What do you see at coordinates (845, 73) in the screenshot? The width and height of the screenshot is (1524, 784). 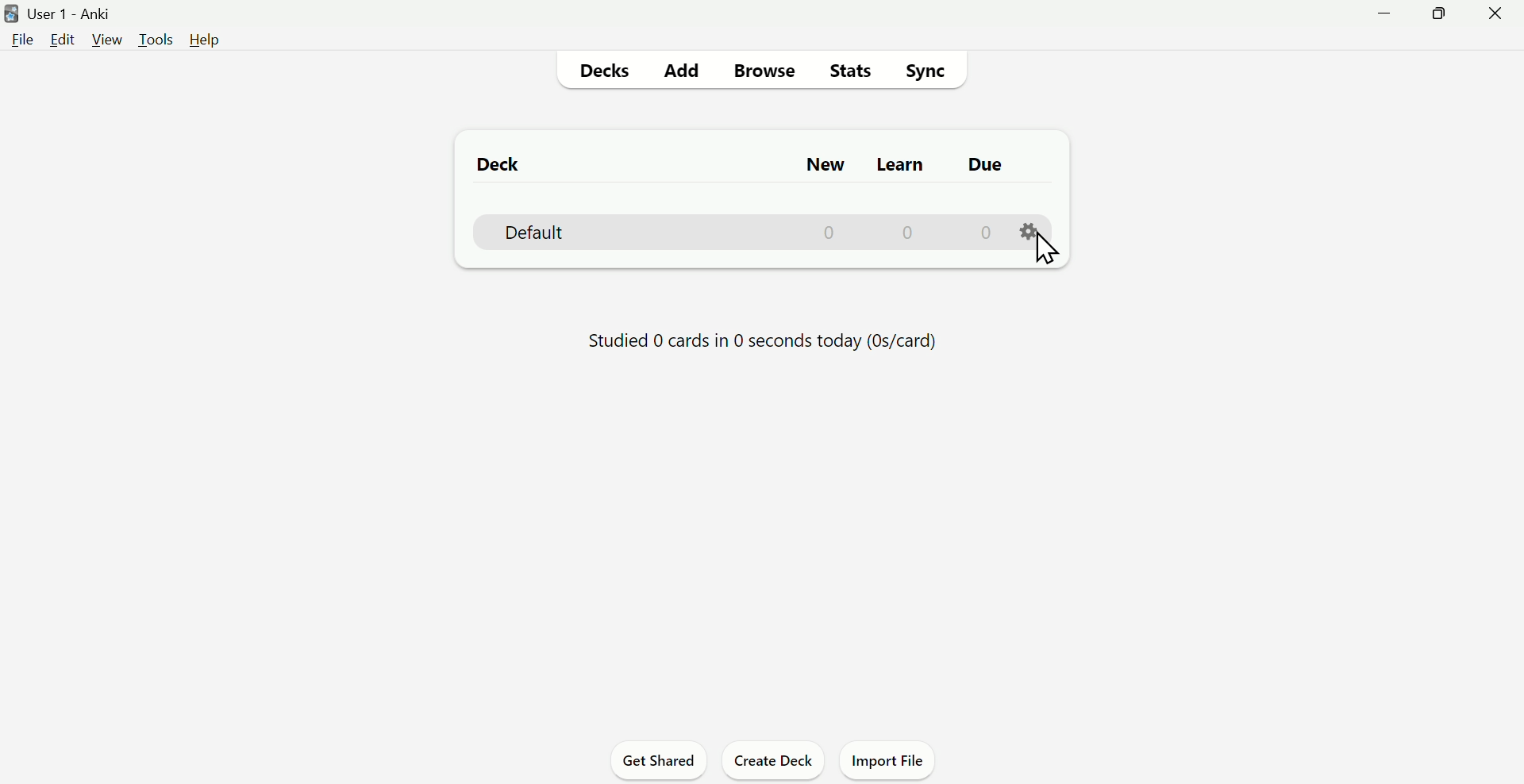 I see `Stats` at bounding box center [845, 73].